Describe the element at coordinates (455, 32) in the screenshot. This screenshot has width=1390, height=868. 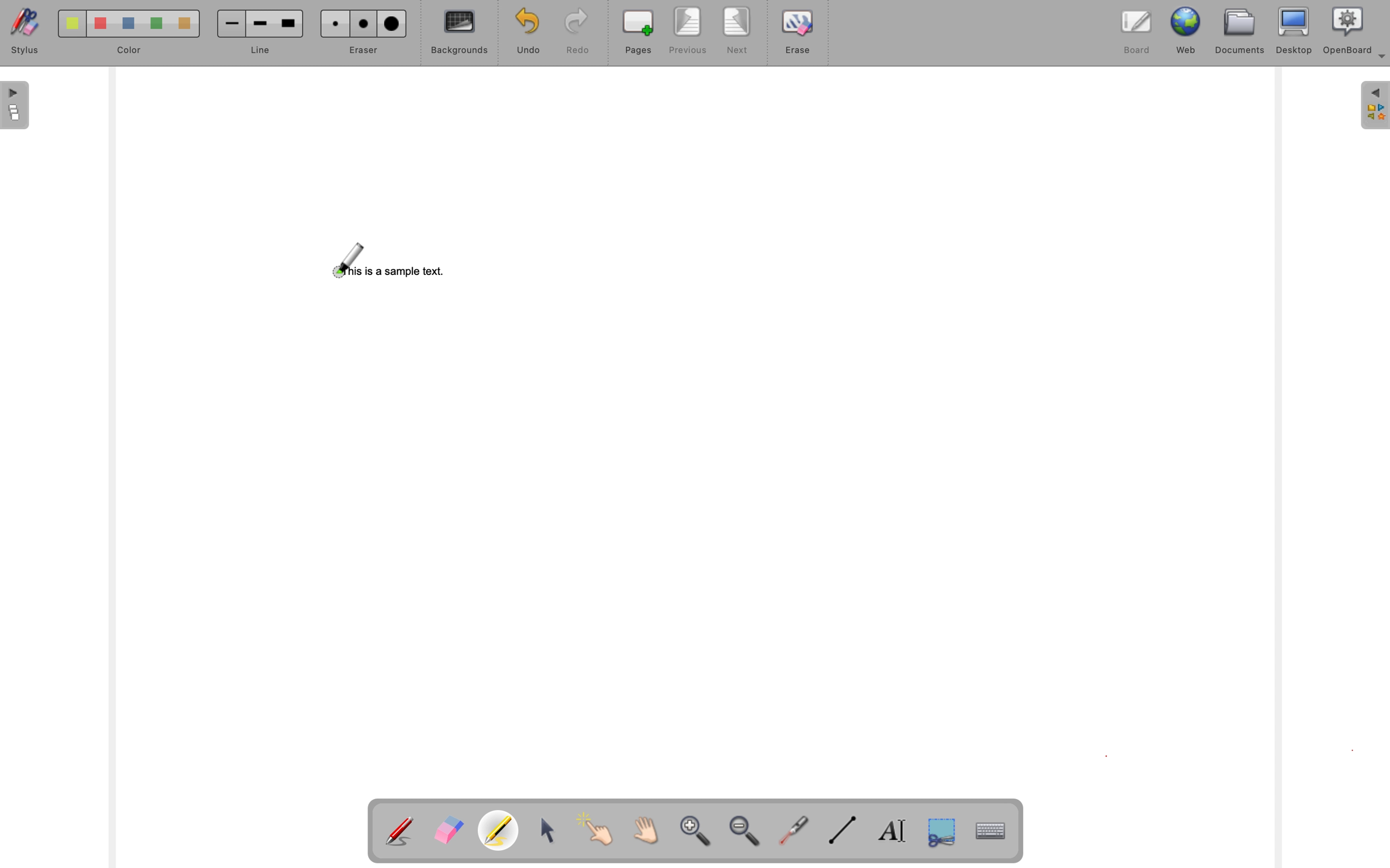
I see `backgrounds` at that location.